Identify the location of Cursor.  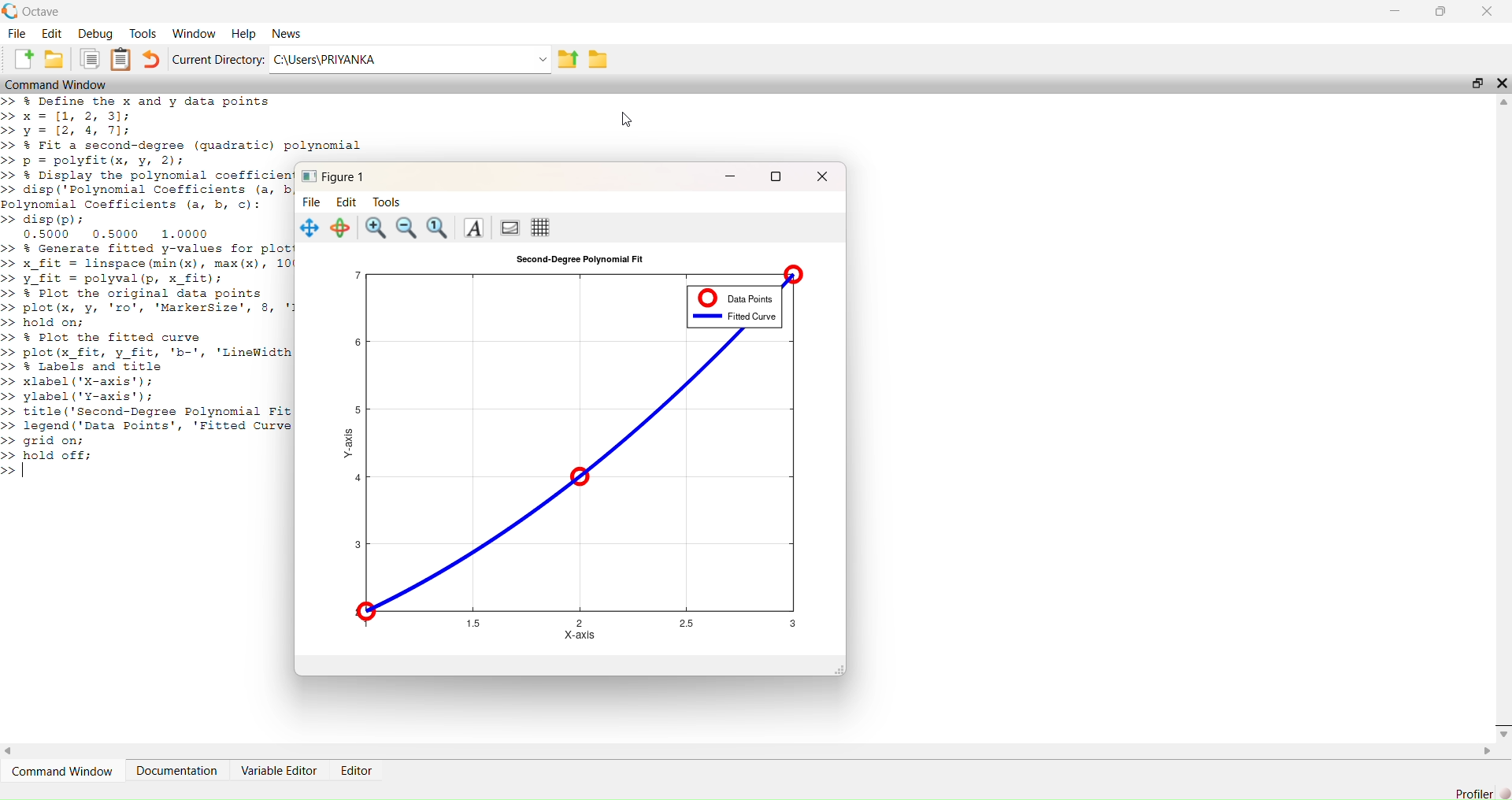
(632, 118).